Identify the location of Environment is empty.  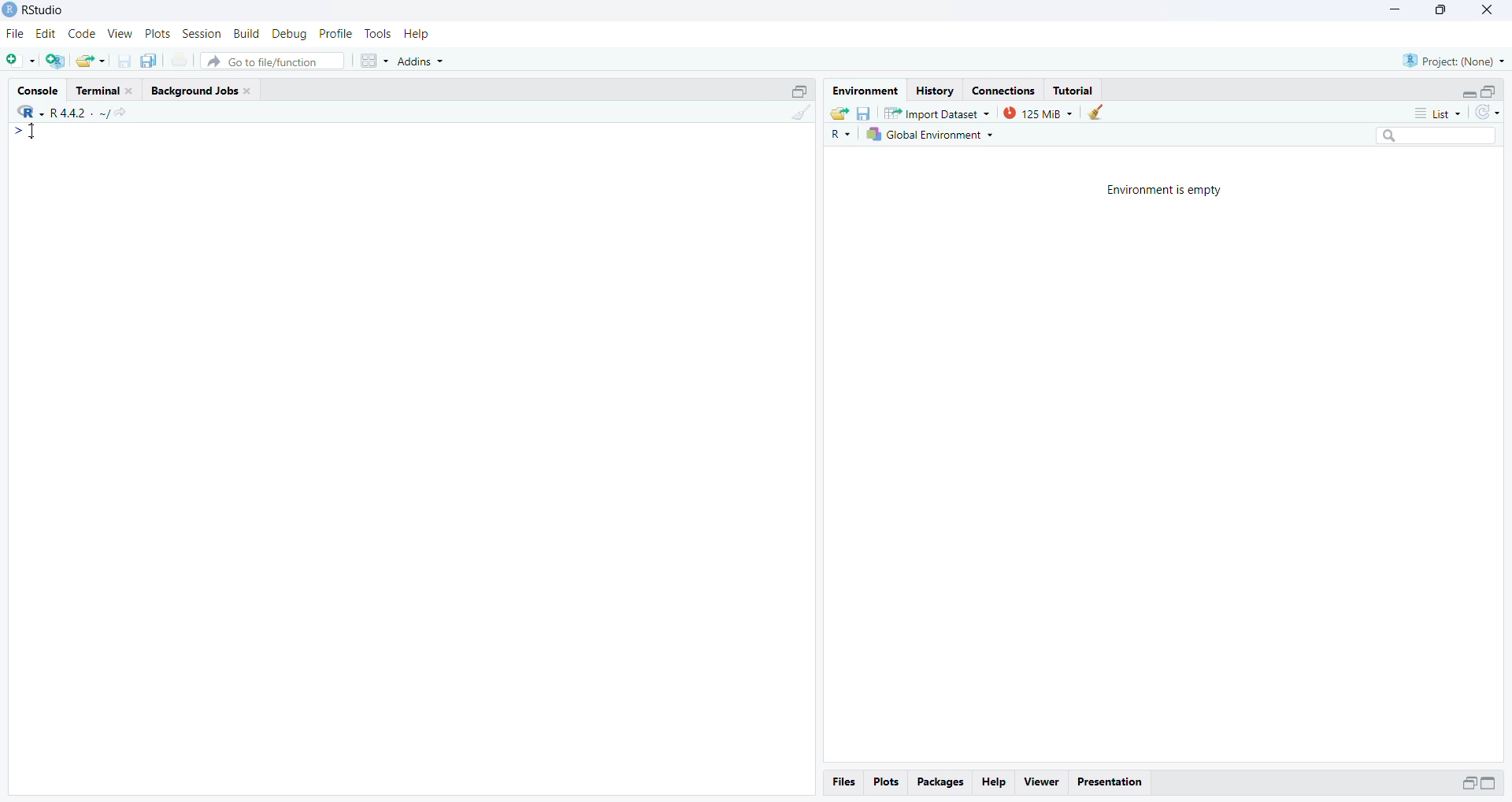
(1162, 190).